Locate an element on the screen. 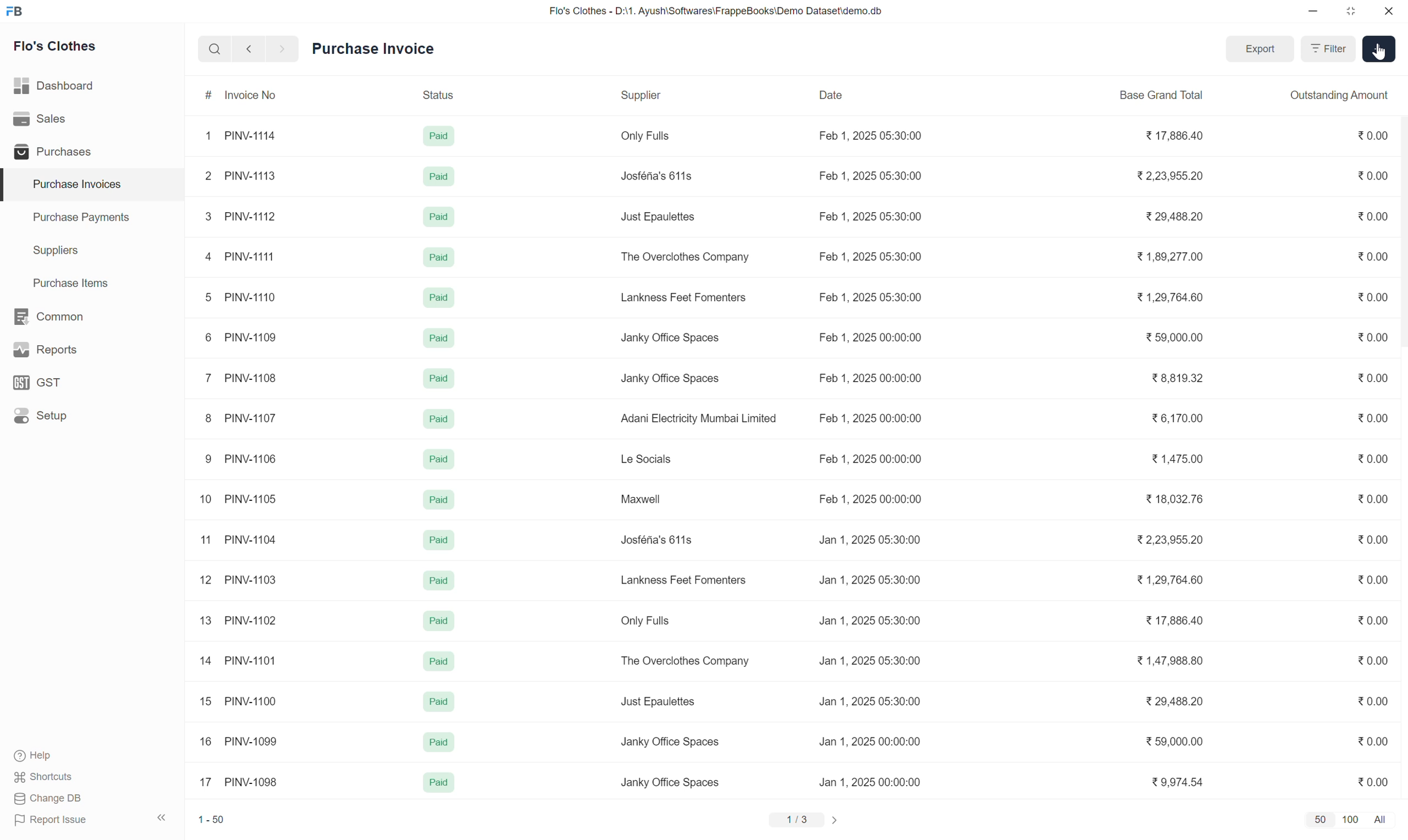 Image resolution: width=1408 pixels, height=840 pixels. 0.00 is located at coordinates (1372, 458).